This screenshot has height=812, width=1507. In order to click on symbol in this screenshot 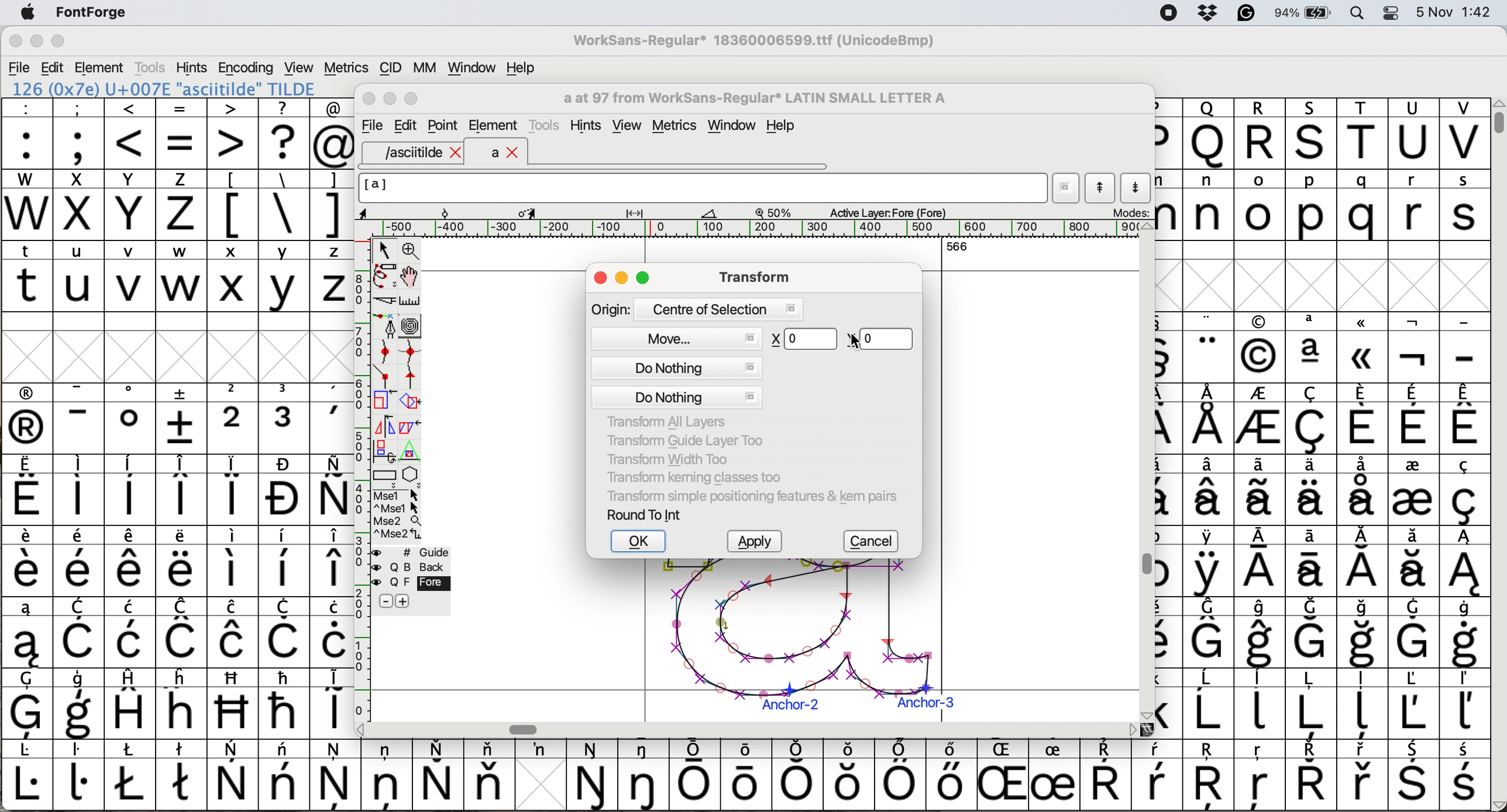, I will do `click(1210, 419)`.